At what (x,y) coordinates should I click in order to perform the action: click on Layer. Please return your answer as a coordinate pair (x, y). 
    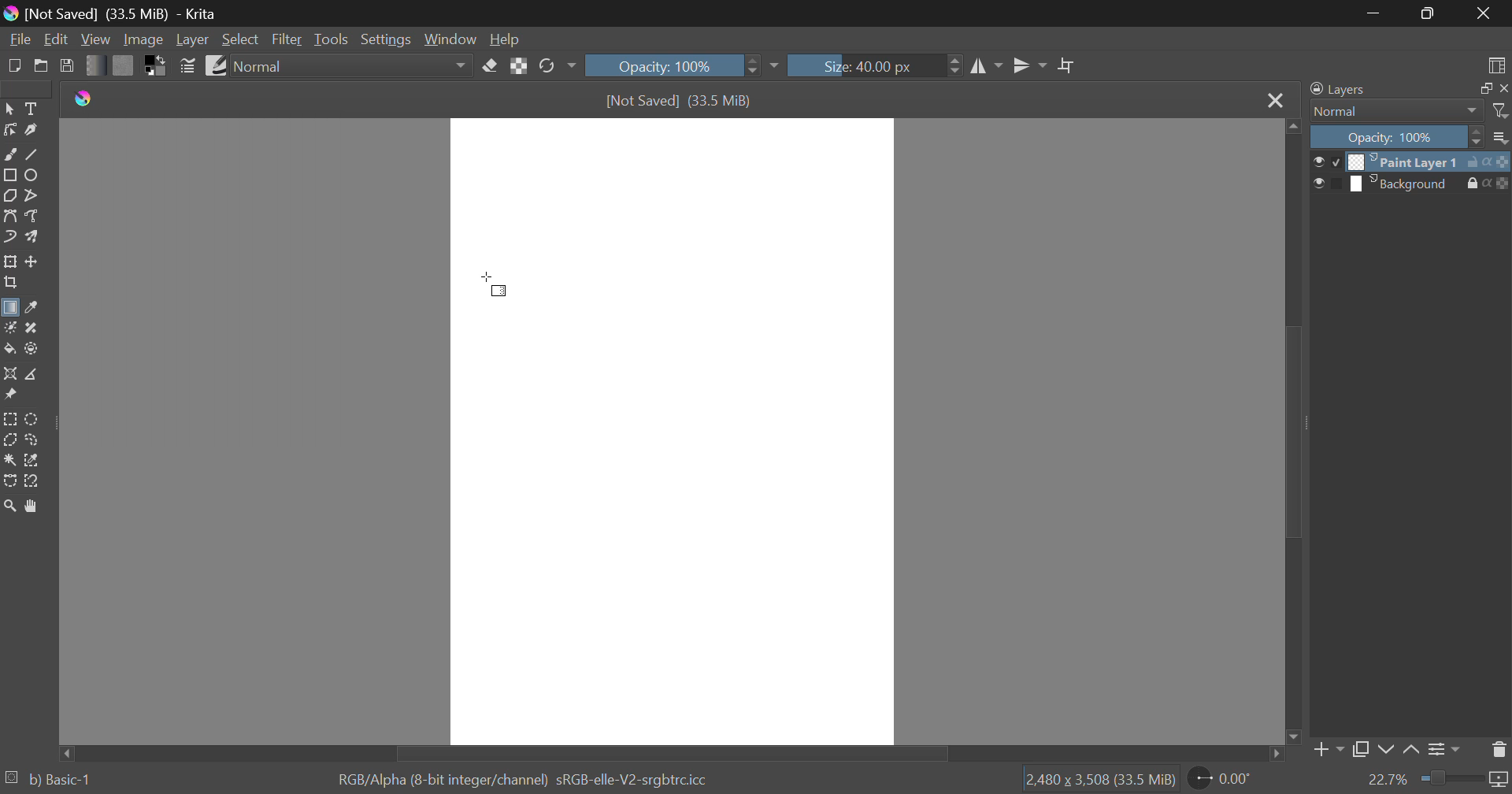
    Looking at the image, I should click on (192, 39).